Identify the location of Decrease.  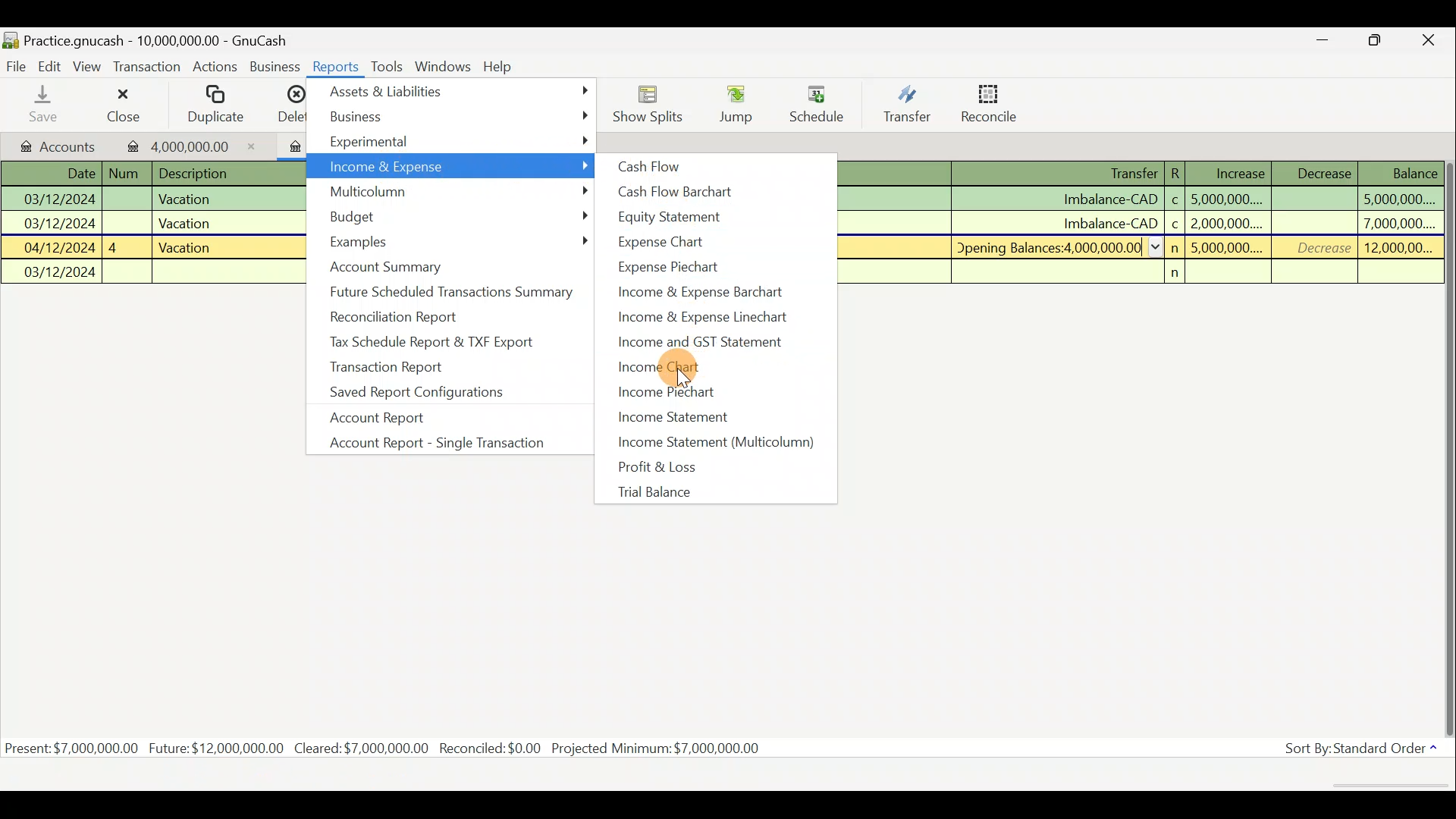
(1323, 172).